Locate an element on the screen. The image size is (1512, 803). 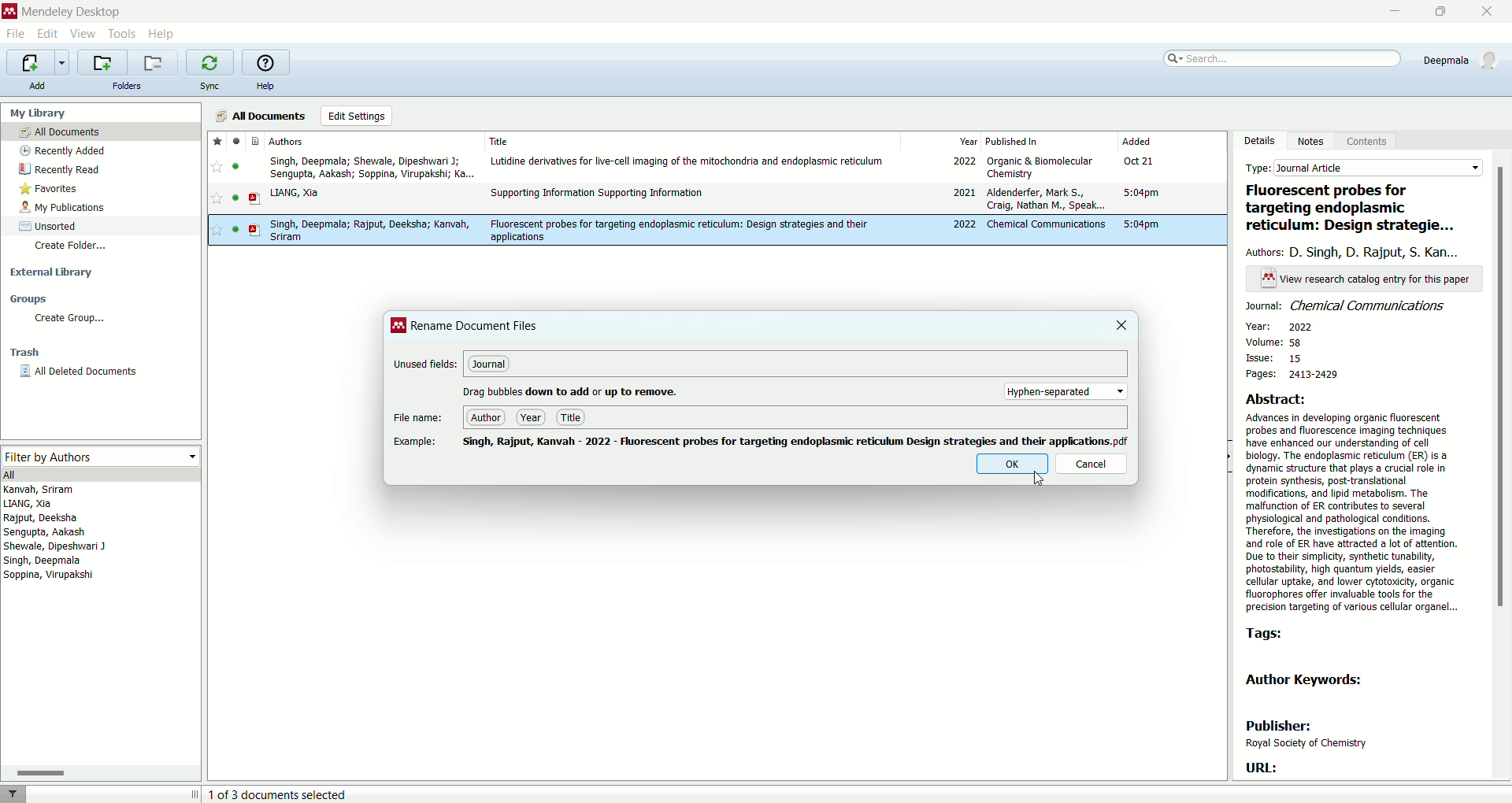
cursor is located at coordinates (1040, 480).